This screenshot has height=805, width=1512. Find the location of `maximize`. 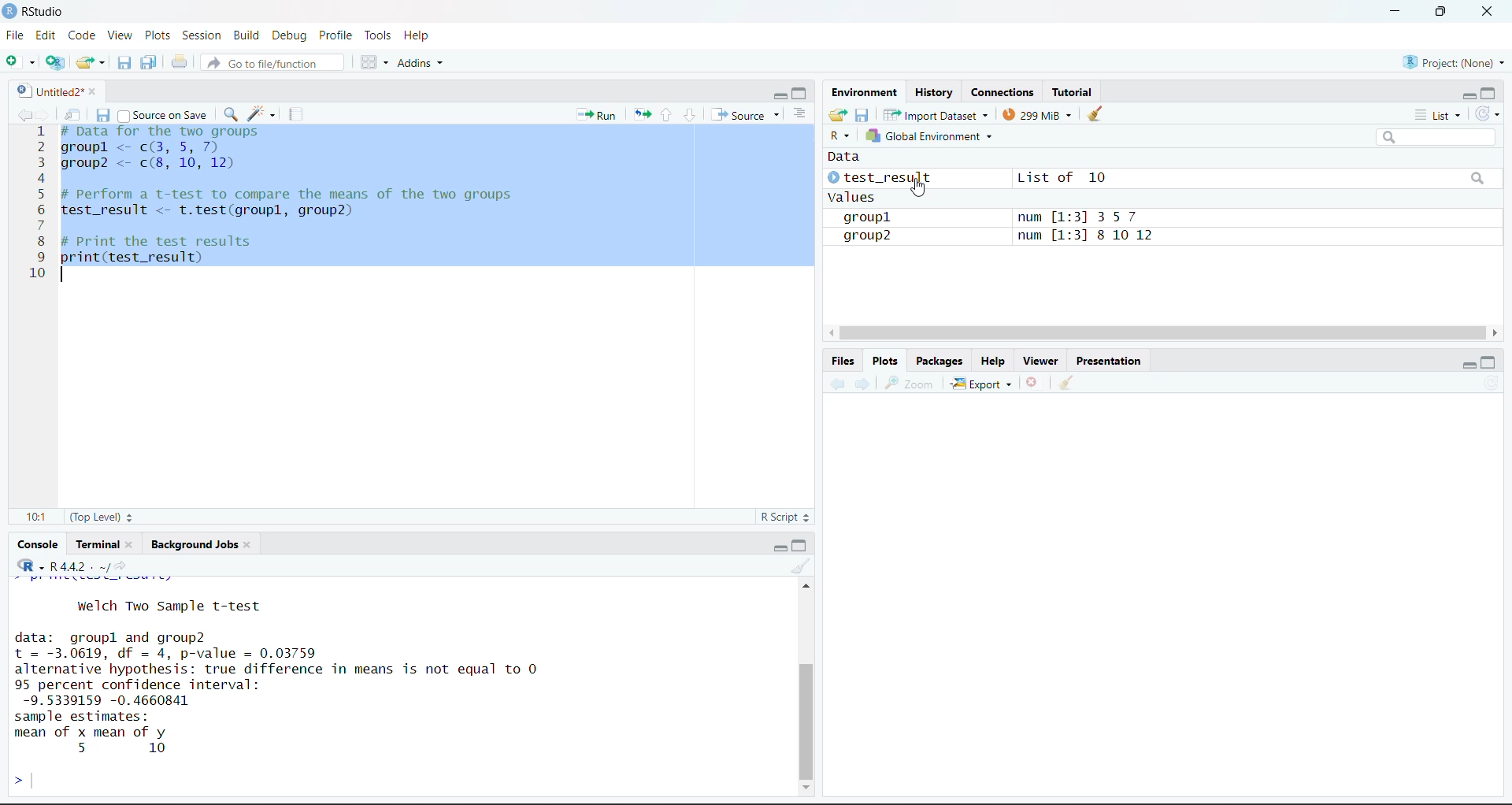

maximize is located at coordinates (1488, 95).